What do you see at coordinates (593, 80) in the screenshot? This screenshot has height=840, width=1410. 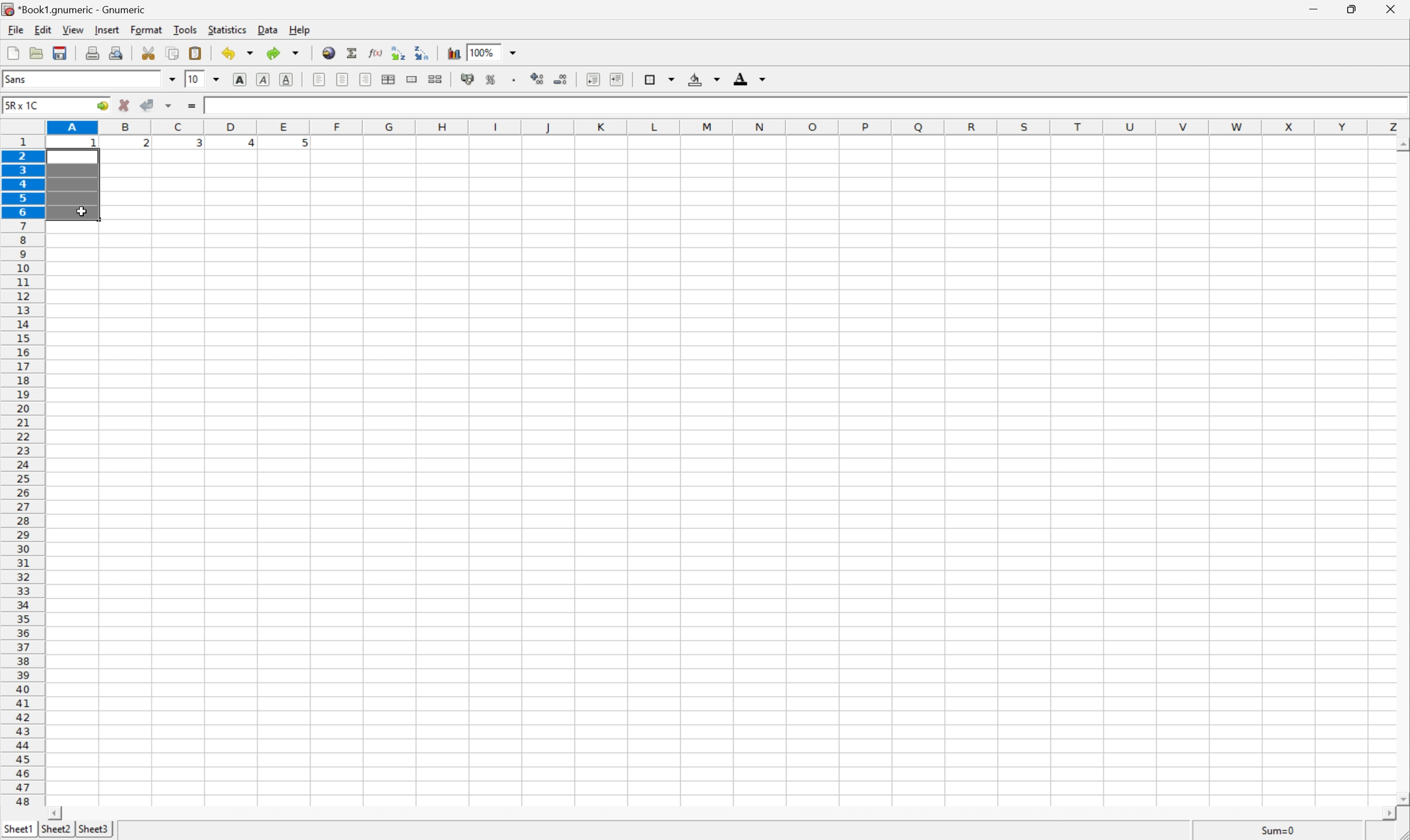 I see `decrease indent` at bounding box center [593, 80].